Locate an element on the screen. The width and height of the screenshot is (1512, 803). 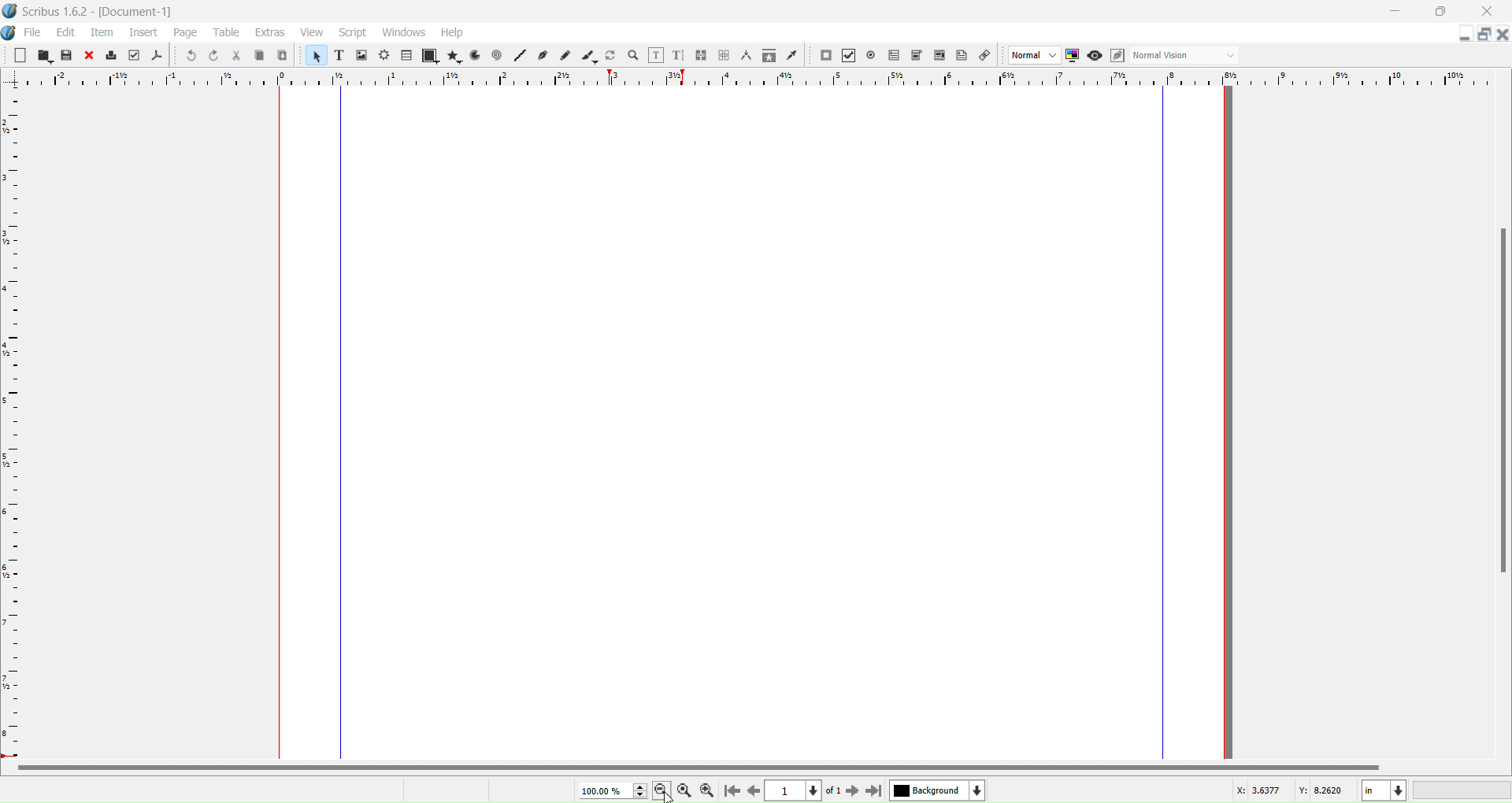
PDF Radio Button is located at coordinates (871, 54).